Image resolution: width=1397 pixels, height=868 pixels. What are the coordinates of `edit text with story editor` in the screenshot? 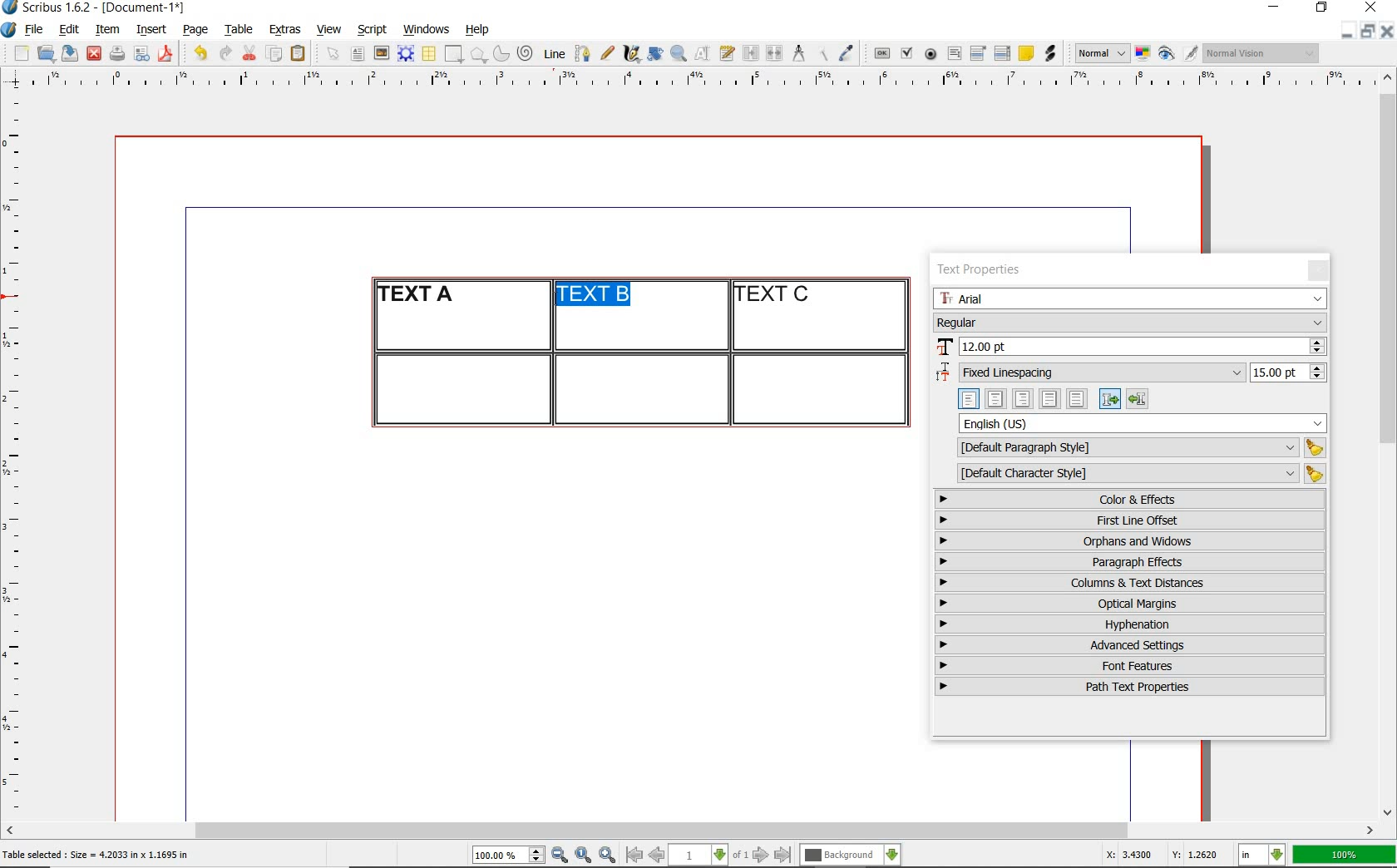 It's located at (727, 52).